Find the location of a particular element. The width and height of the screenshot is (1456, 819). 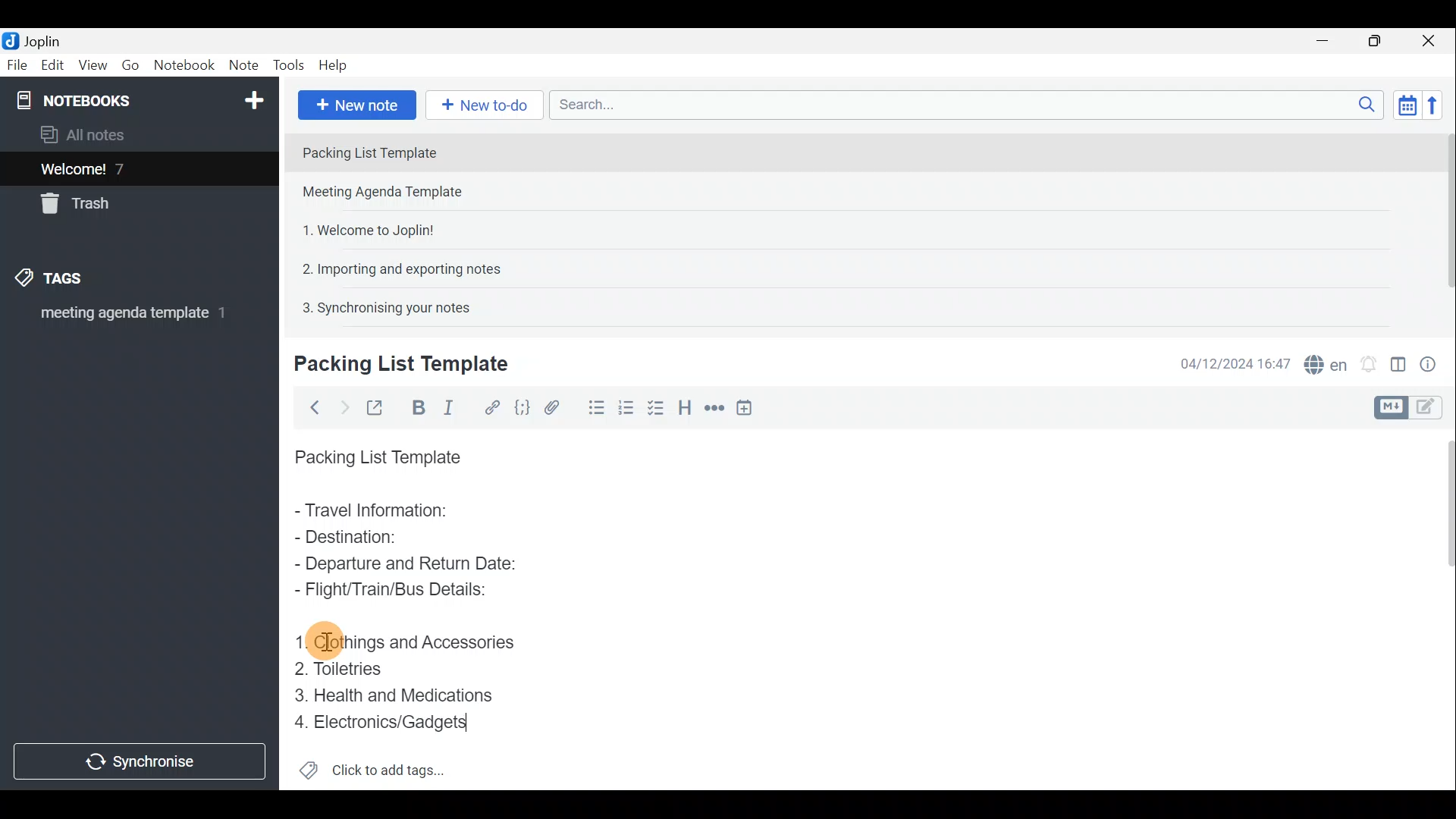

Italic is located at coordinates (454, 407).